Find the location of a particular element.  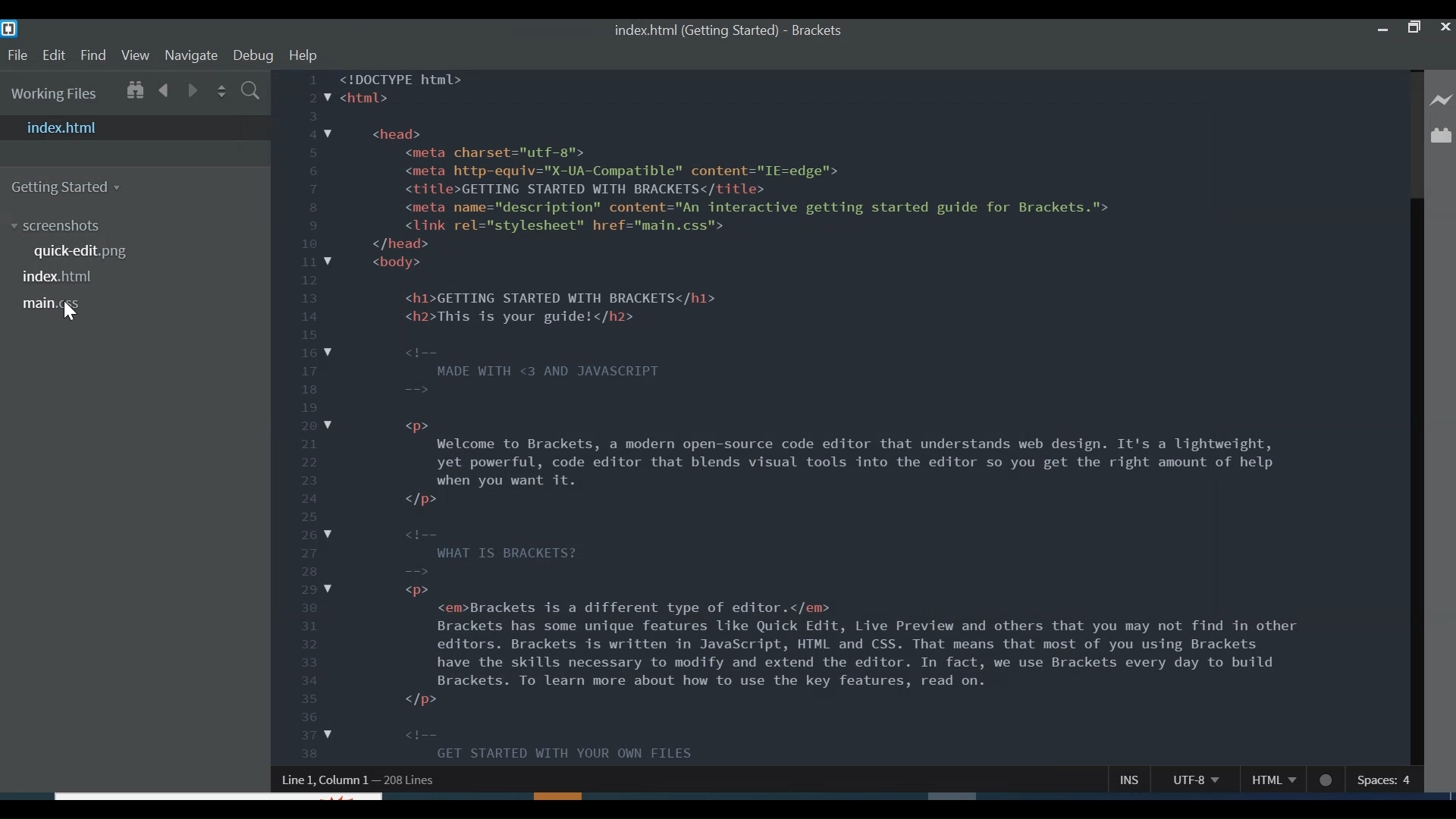

File Type is located at coordinates (1275, 780).